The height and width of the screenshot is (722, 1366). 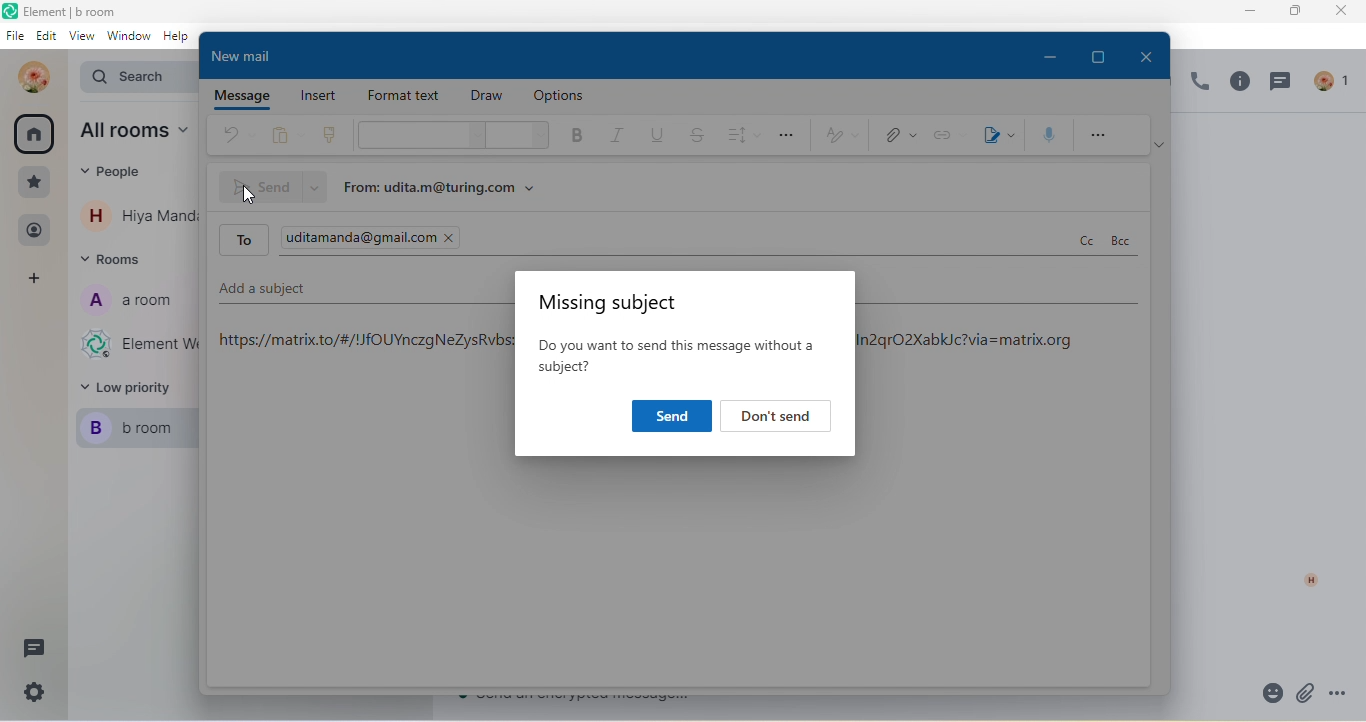 What do you see at coordinates (515, 137) in the screenshot?
I see `font size` at bounding box center [515, 137].